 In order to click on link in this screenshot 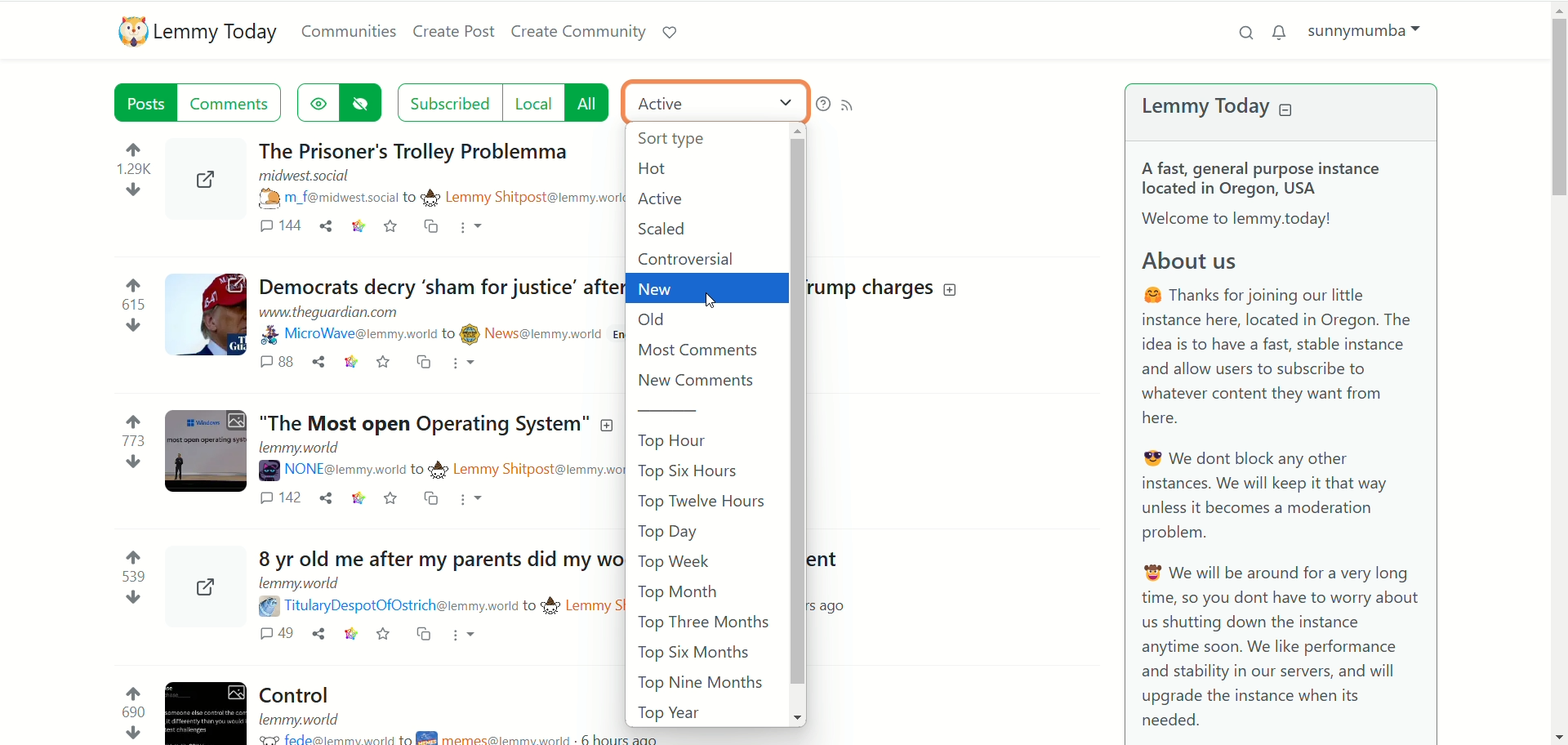, I will do `click(357, 501)`.